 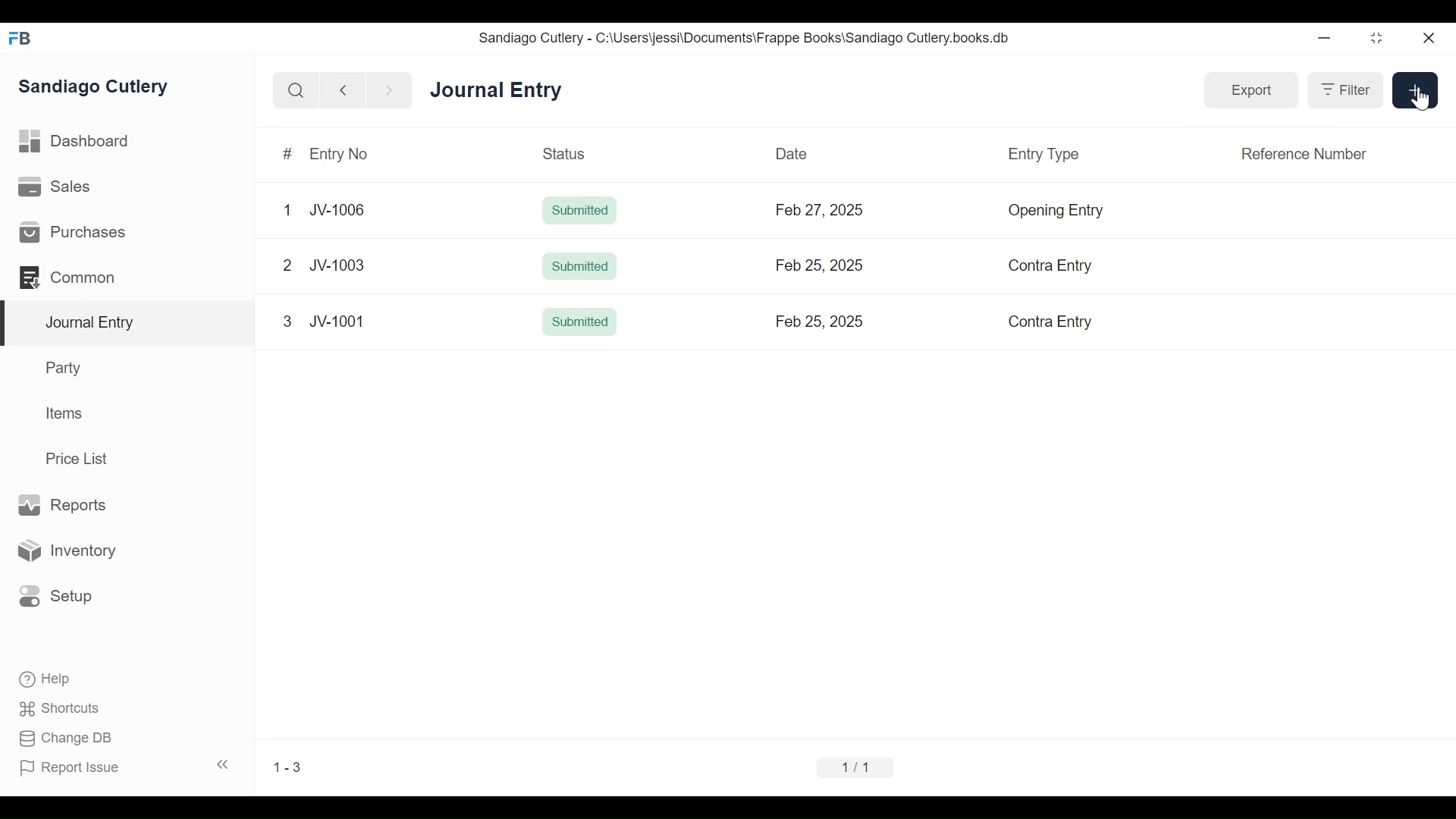 What do you see at coordinates (290, 764) in the screenshot?
I see `1.1%` at bounding box center [290, 764].